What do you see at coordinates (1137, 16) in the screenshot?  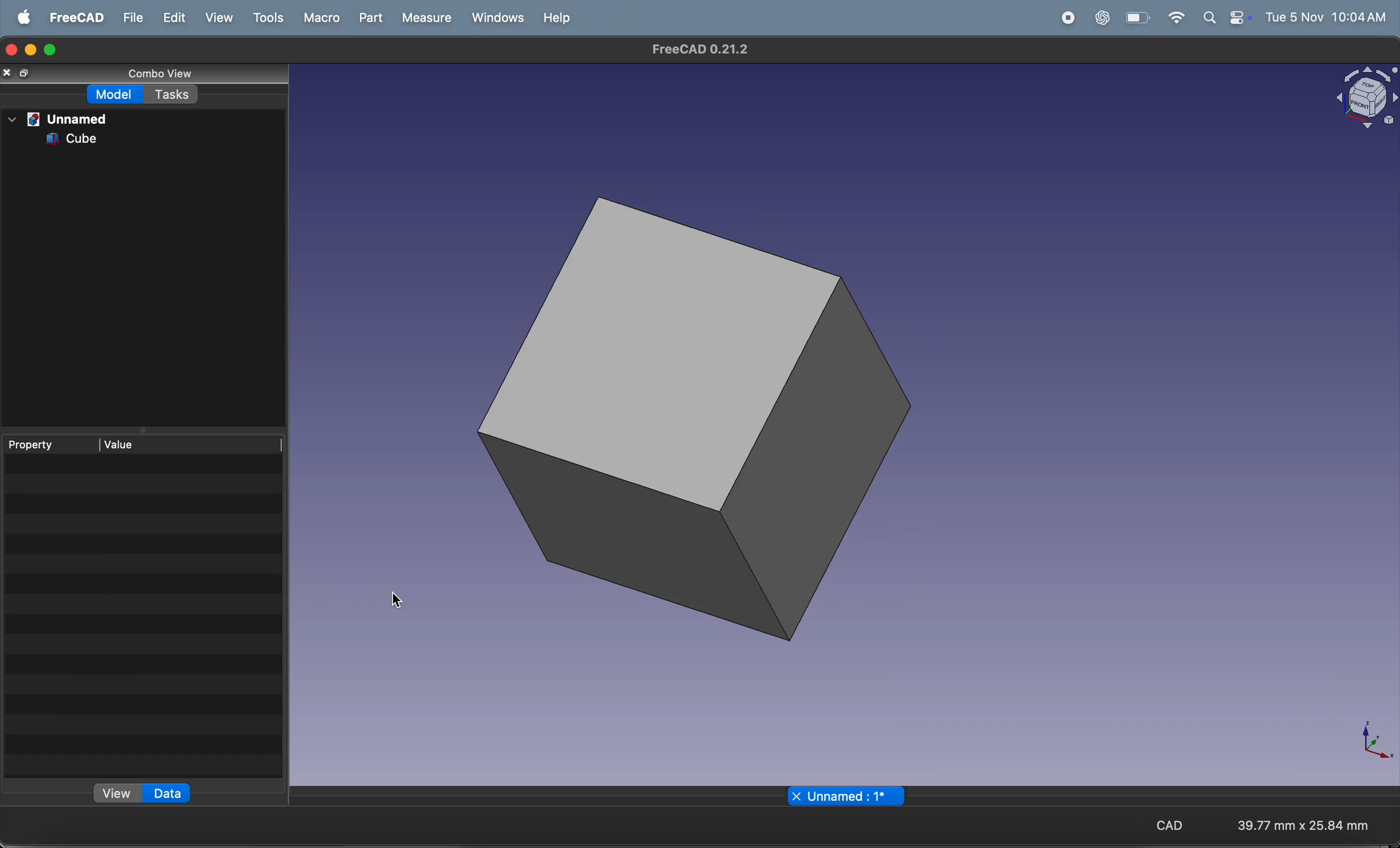 I see `wifi` at bounding box center [1137, 16].